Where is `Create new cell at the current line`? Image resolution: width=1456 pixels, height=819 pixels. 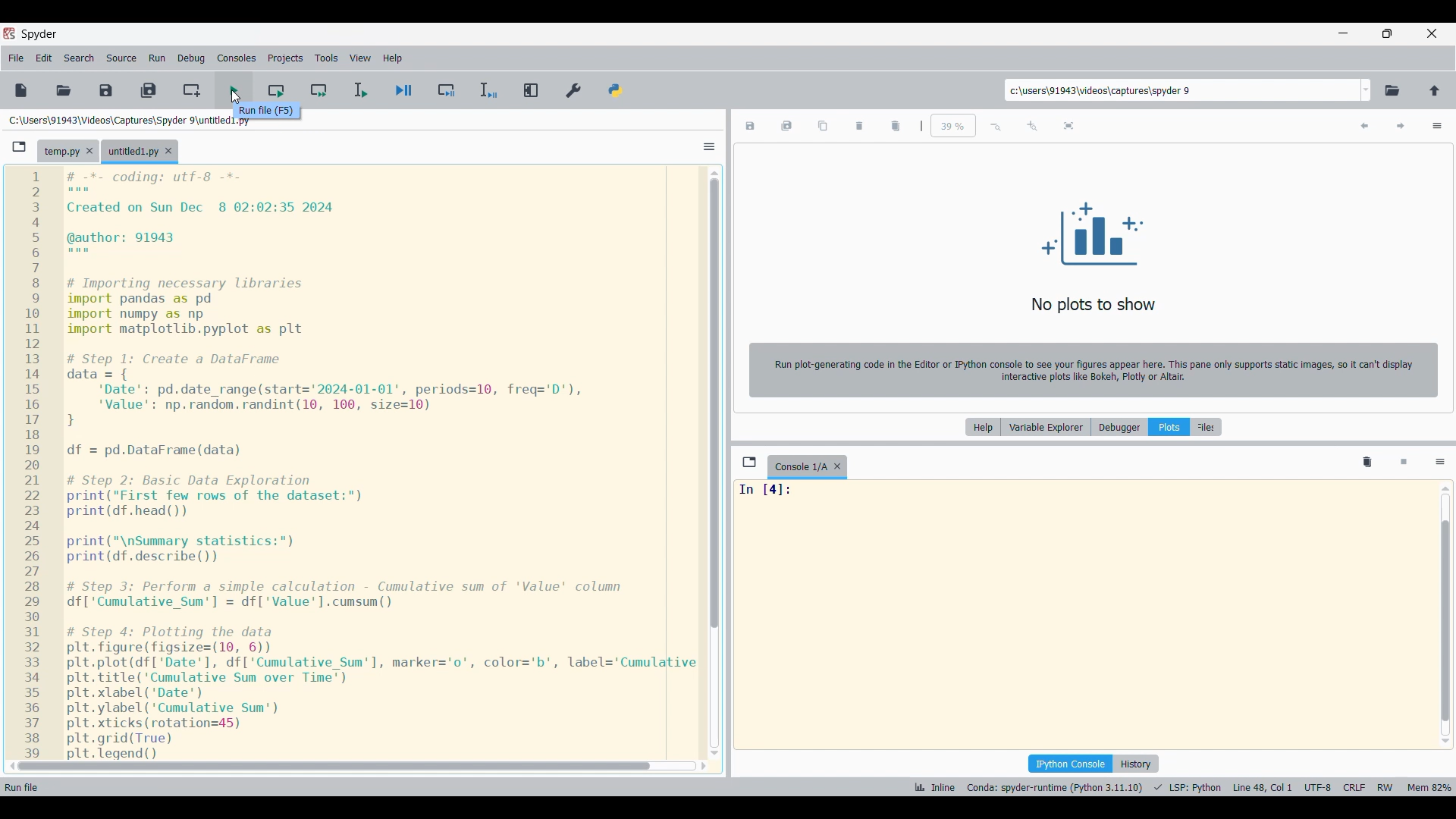
Create new cell at the current line is located at coordinates (191, 91).